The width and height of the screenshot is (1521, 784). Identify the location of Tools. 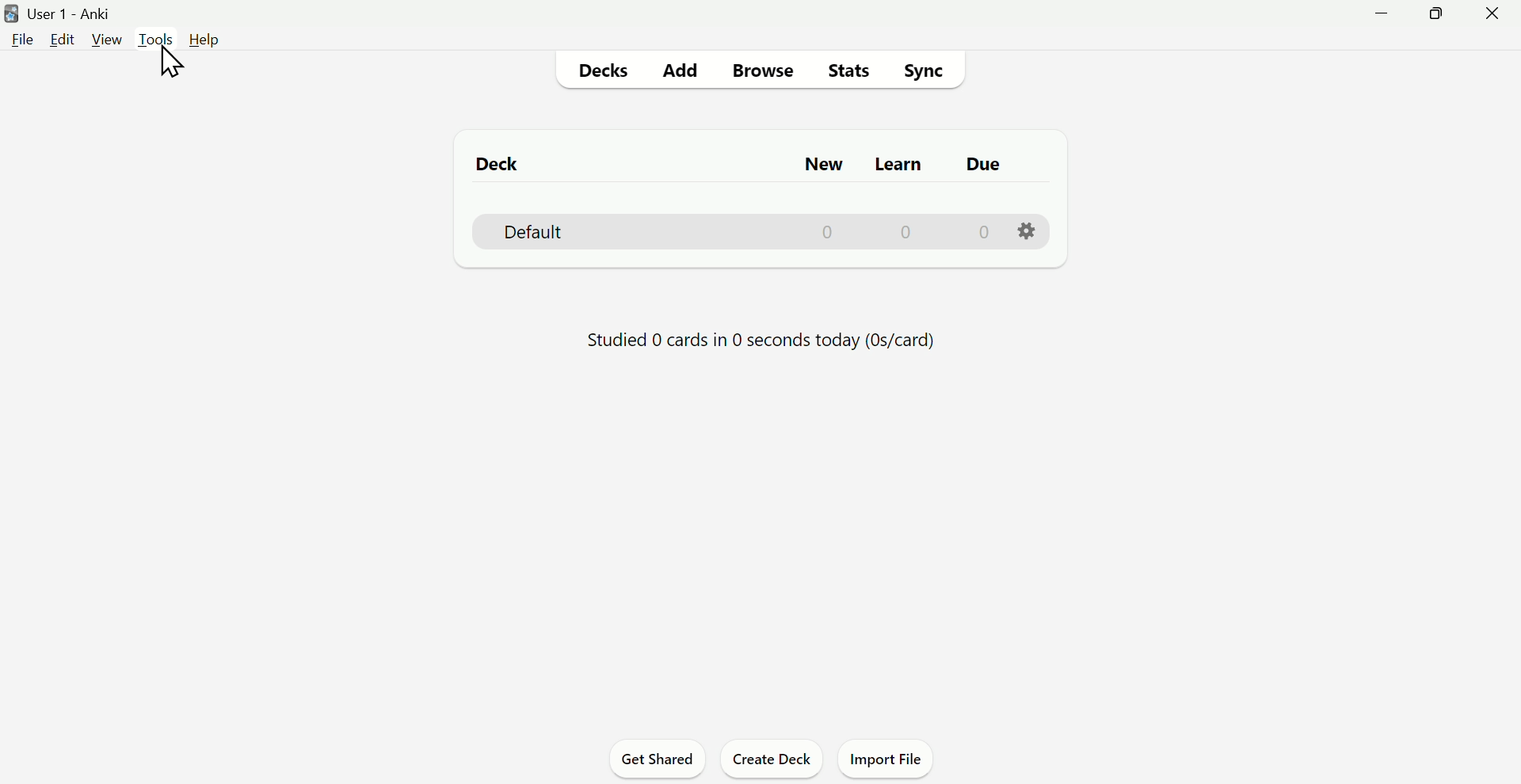
(157, 39).